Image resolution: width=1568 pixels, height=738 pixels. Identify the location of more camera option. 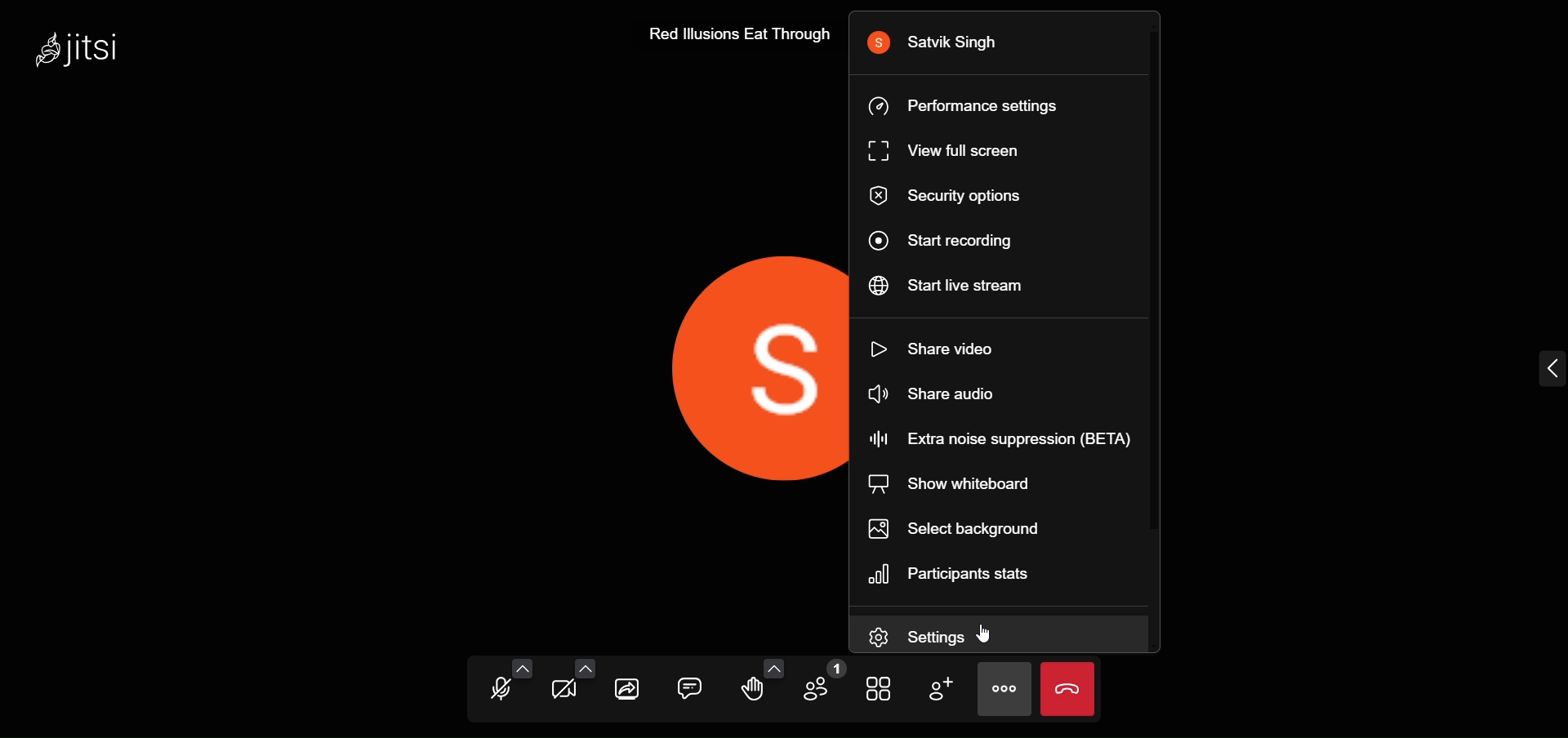
(587, 667).